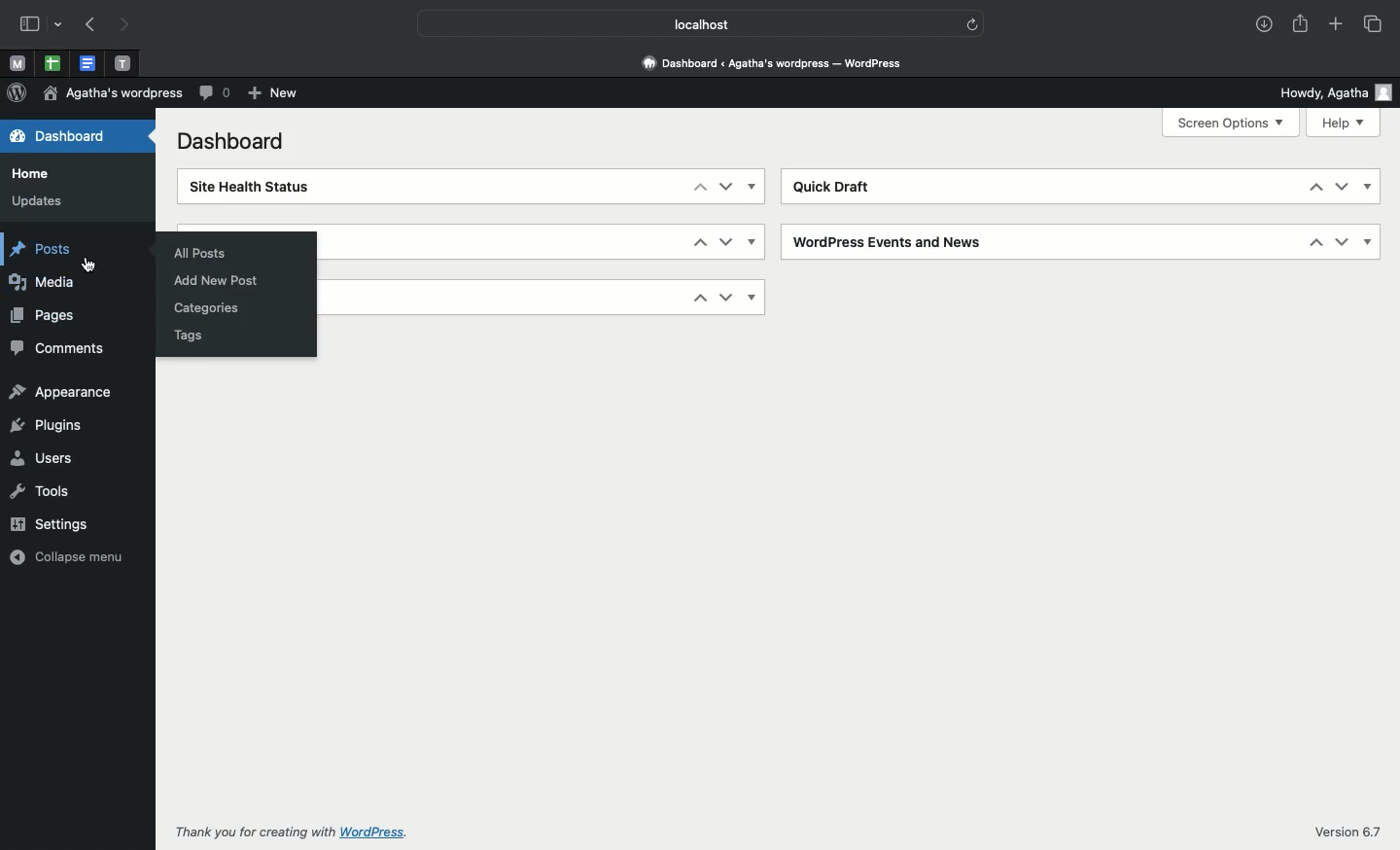 Image resolution: width=1400 pixels, height=850 pixels. What do you see at coordinates (54, 135) in the screenshot?
I see `Dashboard` at bounding box center [54, 135].